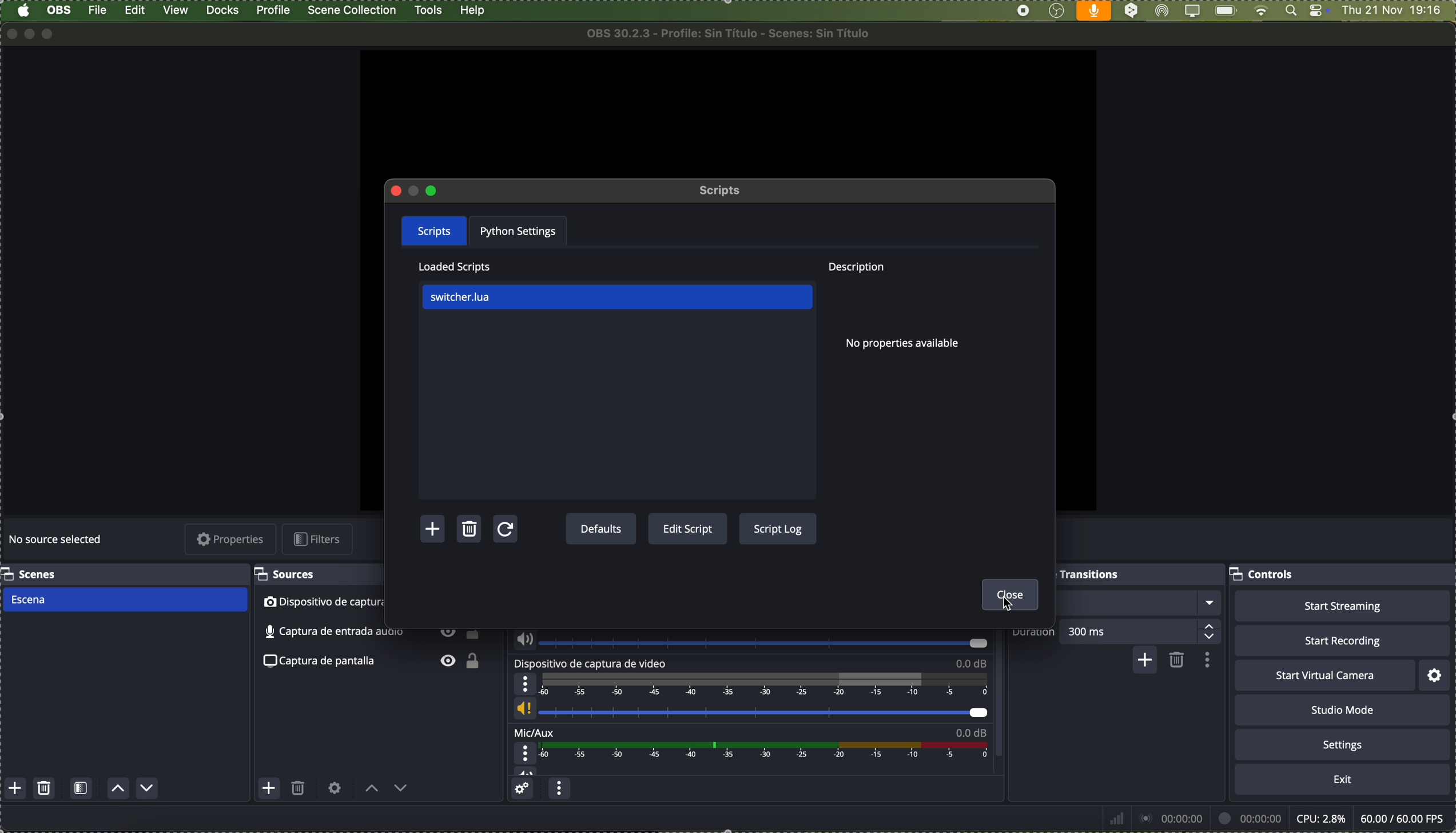 Image resolution: width=1456 pixels, height=833 pixels. I want to click on Apple icon, so click(23, 11).